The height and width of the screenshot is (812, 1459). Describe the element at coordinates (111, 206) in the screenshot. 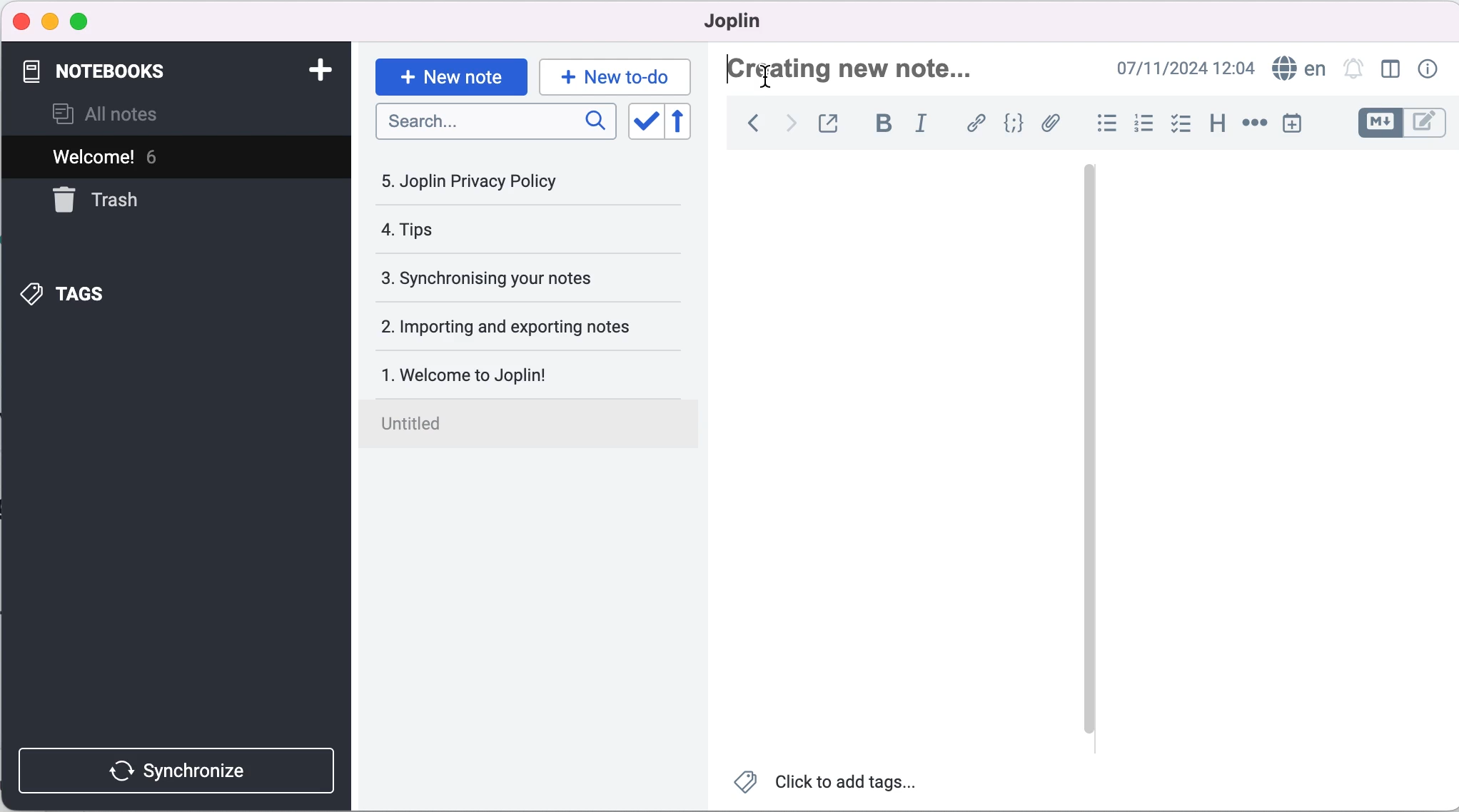

I see `trash` at that location.